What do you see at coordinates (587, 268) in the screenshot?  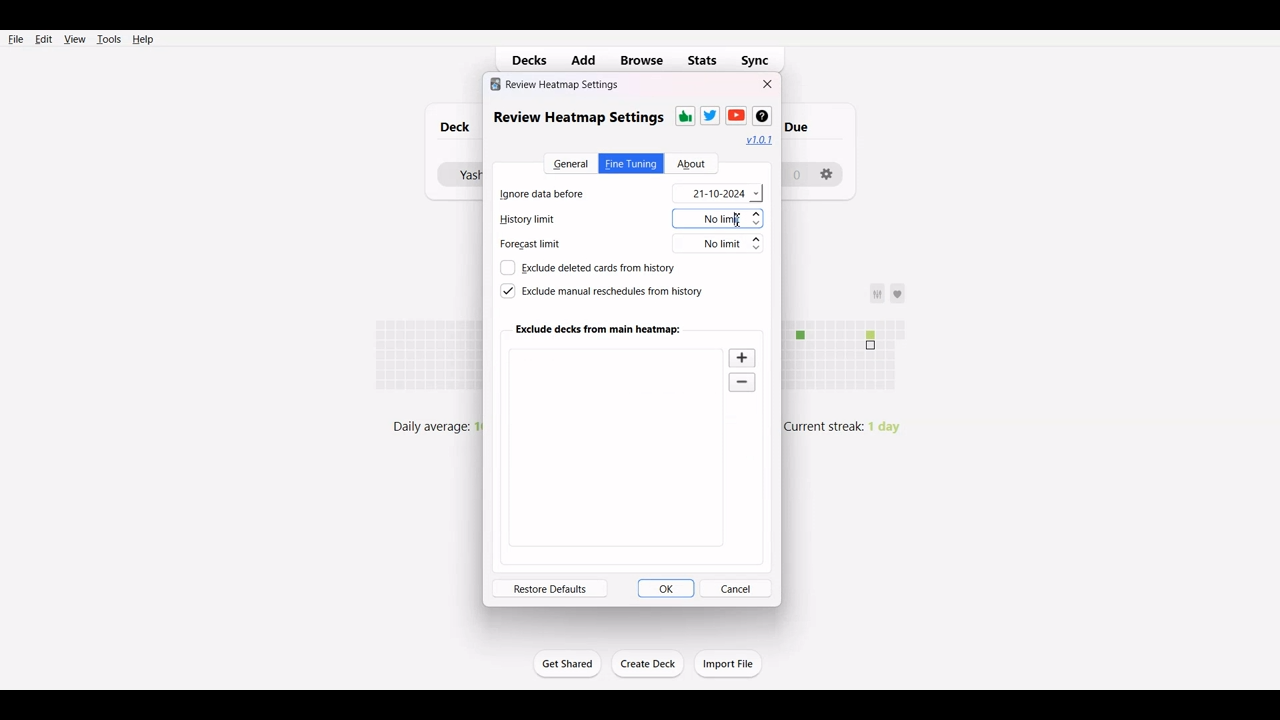 I see `Exclude deleted cards from history` at bounding box center [587, 268].